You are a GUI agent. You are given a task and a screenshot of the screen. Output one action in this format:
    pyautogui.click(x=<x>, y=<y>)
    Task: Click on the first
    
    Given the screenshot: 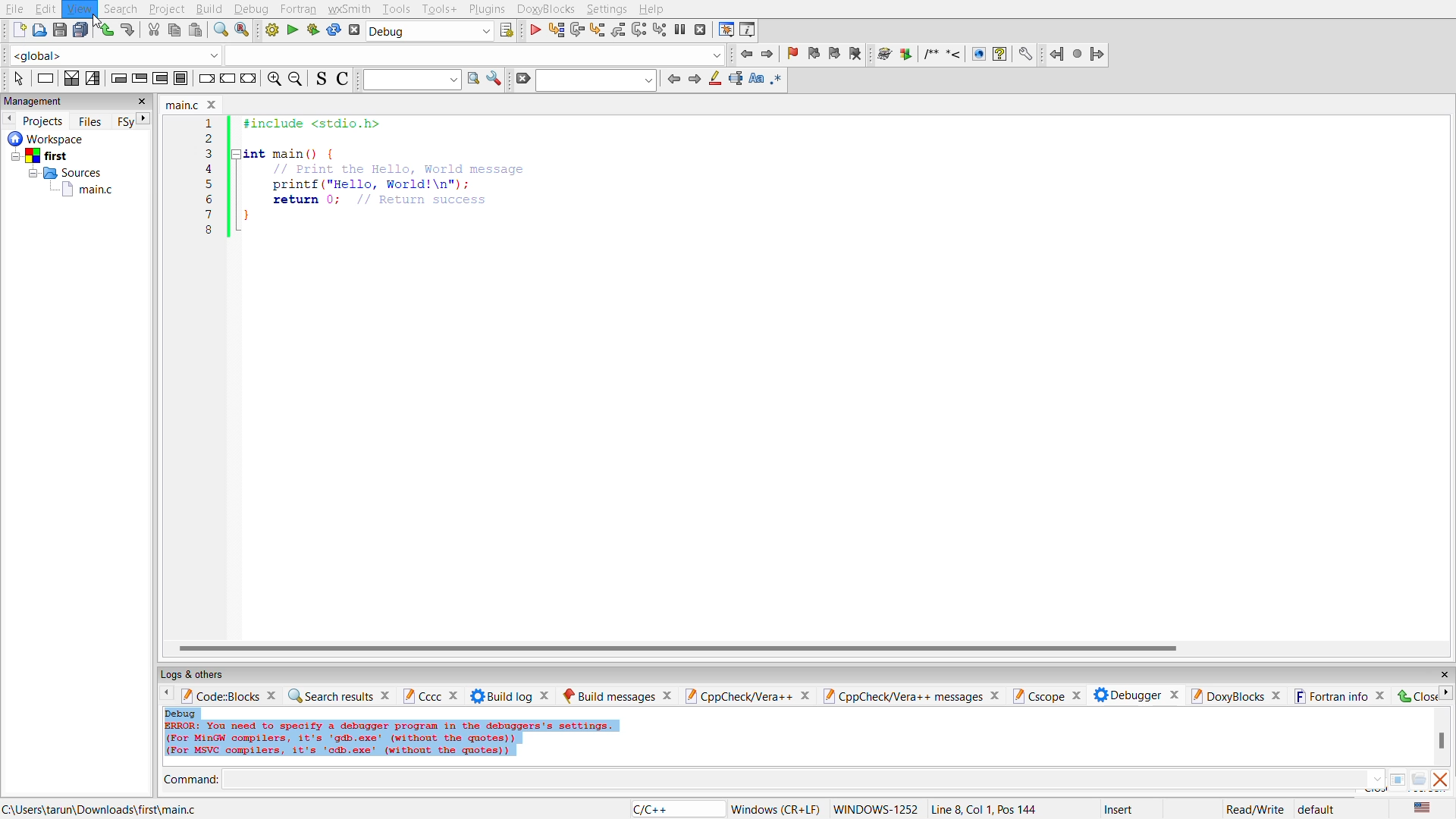 What is the action you would take?
    pyautogui.click(x=41, y=155)
    